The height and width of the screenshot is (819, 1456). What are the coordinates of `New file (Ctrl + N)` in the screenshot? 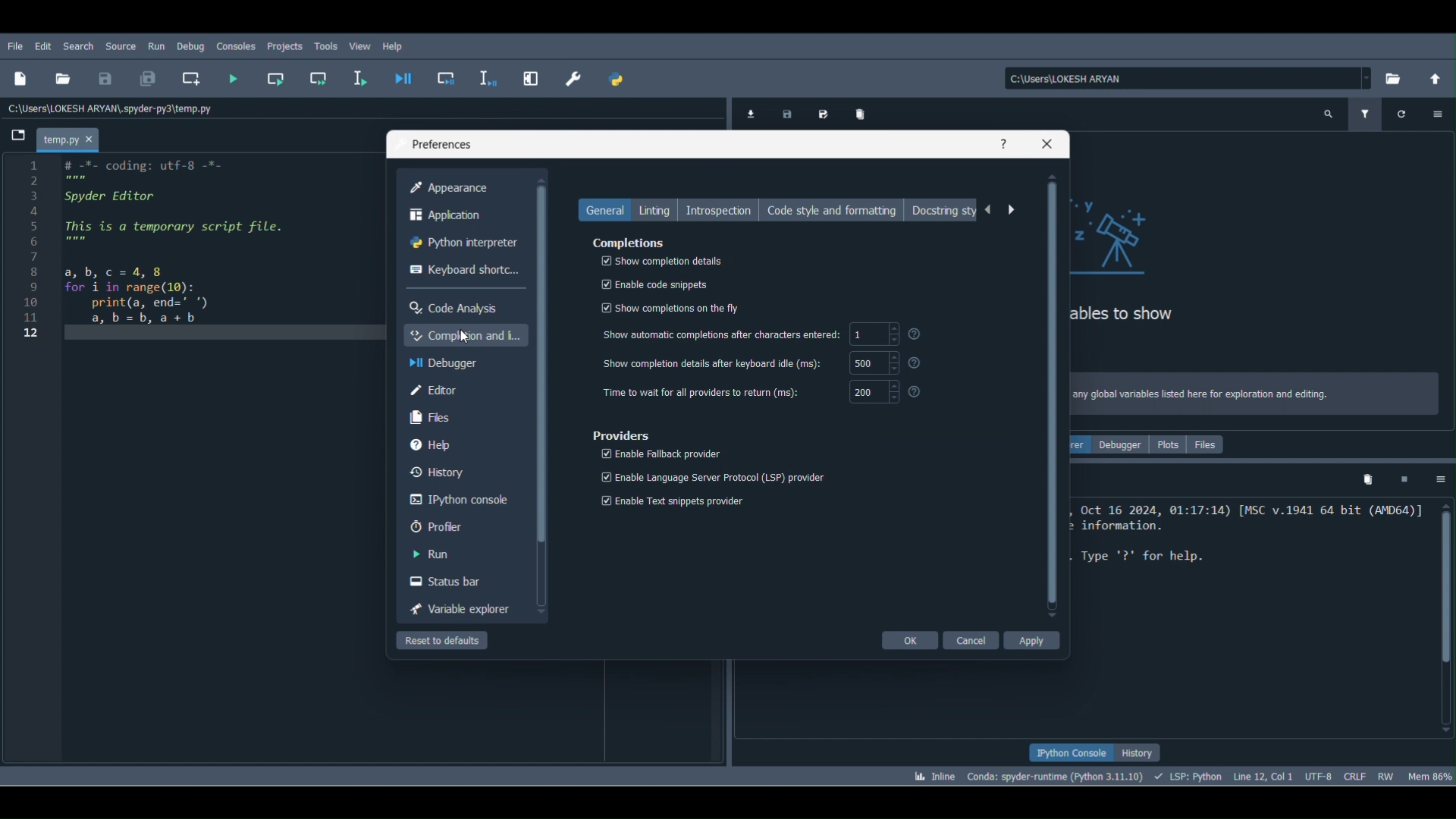 It's located at (20, 82).